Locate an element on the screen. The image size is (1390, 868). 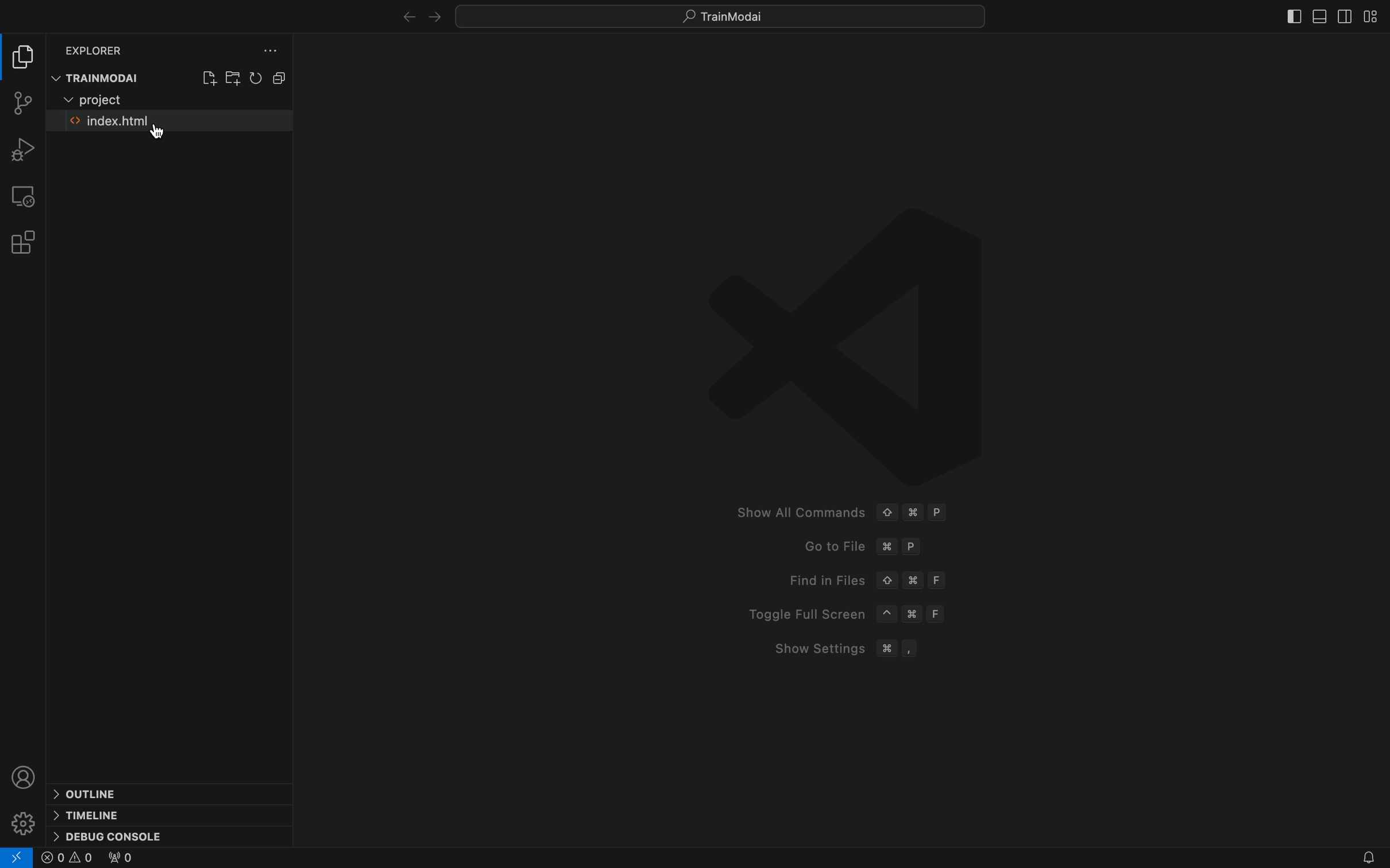
explorer is located at coordinates (98, 48).